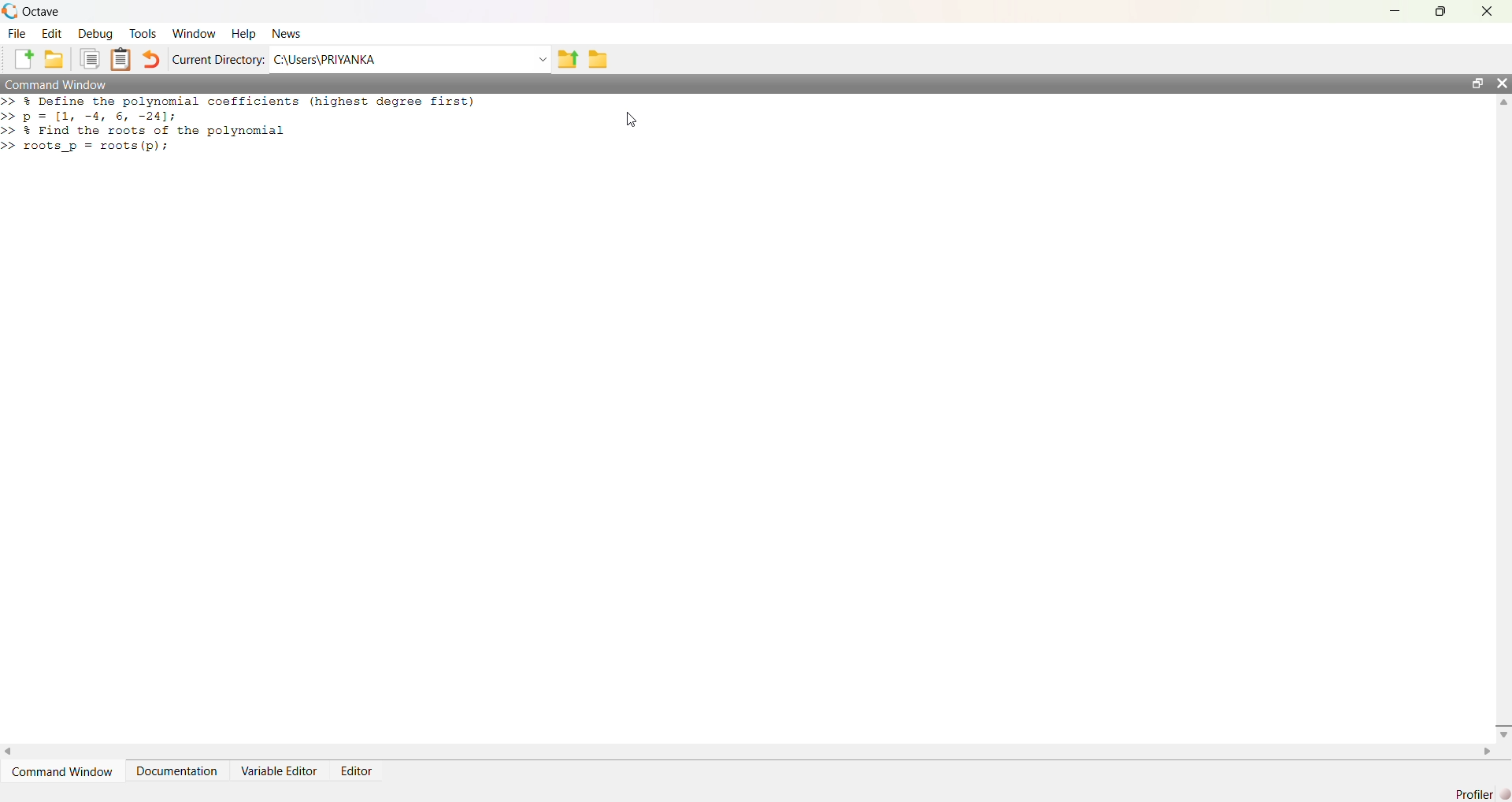  Describe the element at coordinates (1440, 13) in the screenshot. I see `Maximize` at that location.